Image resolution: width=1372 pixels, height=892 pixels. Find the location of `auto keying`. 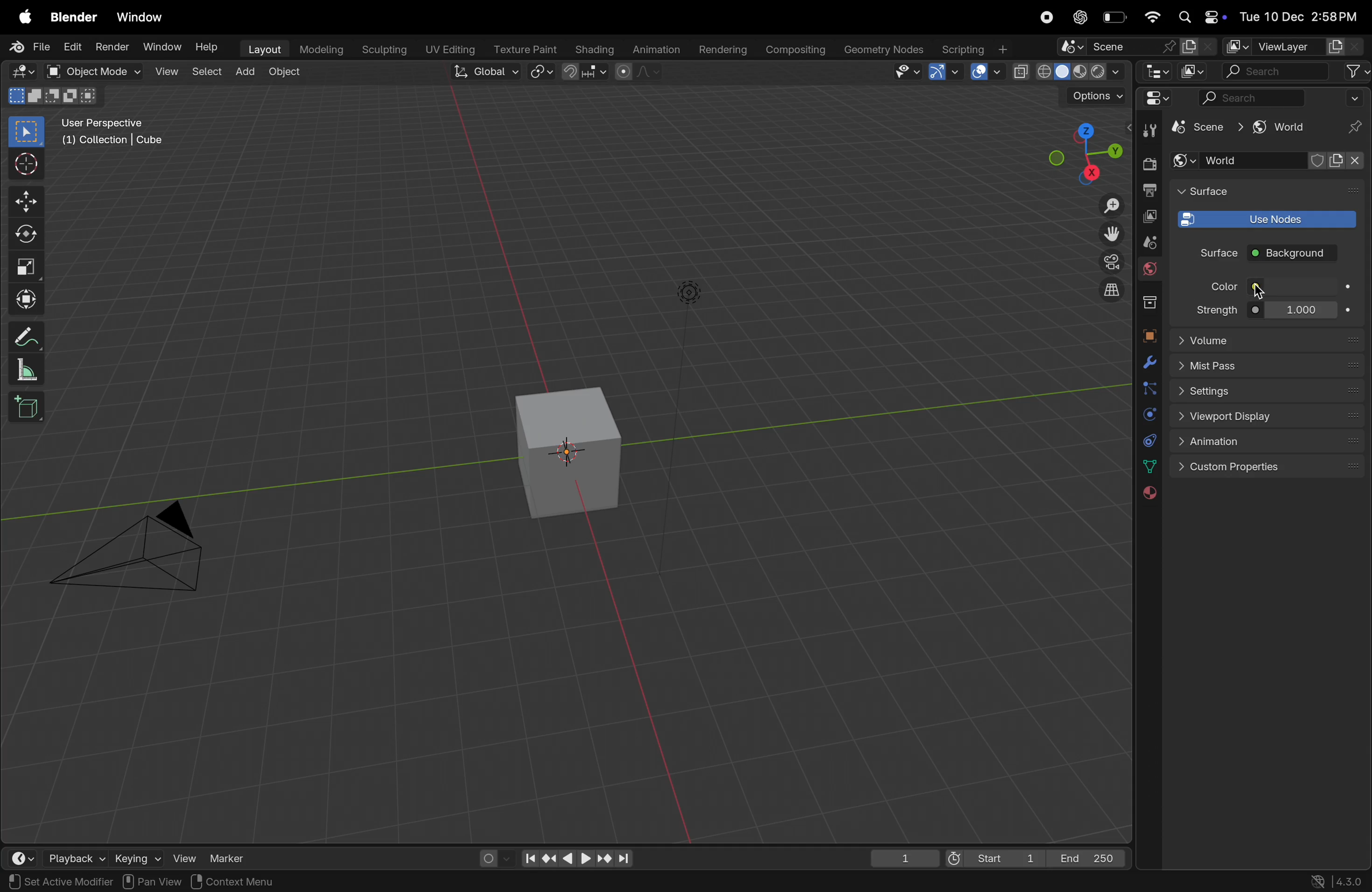

auto keying is located at coordinates (491, 857).